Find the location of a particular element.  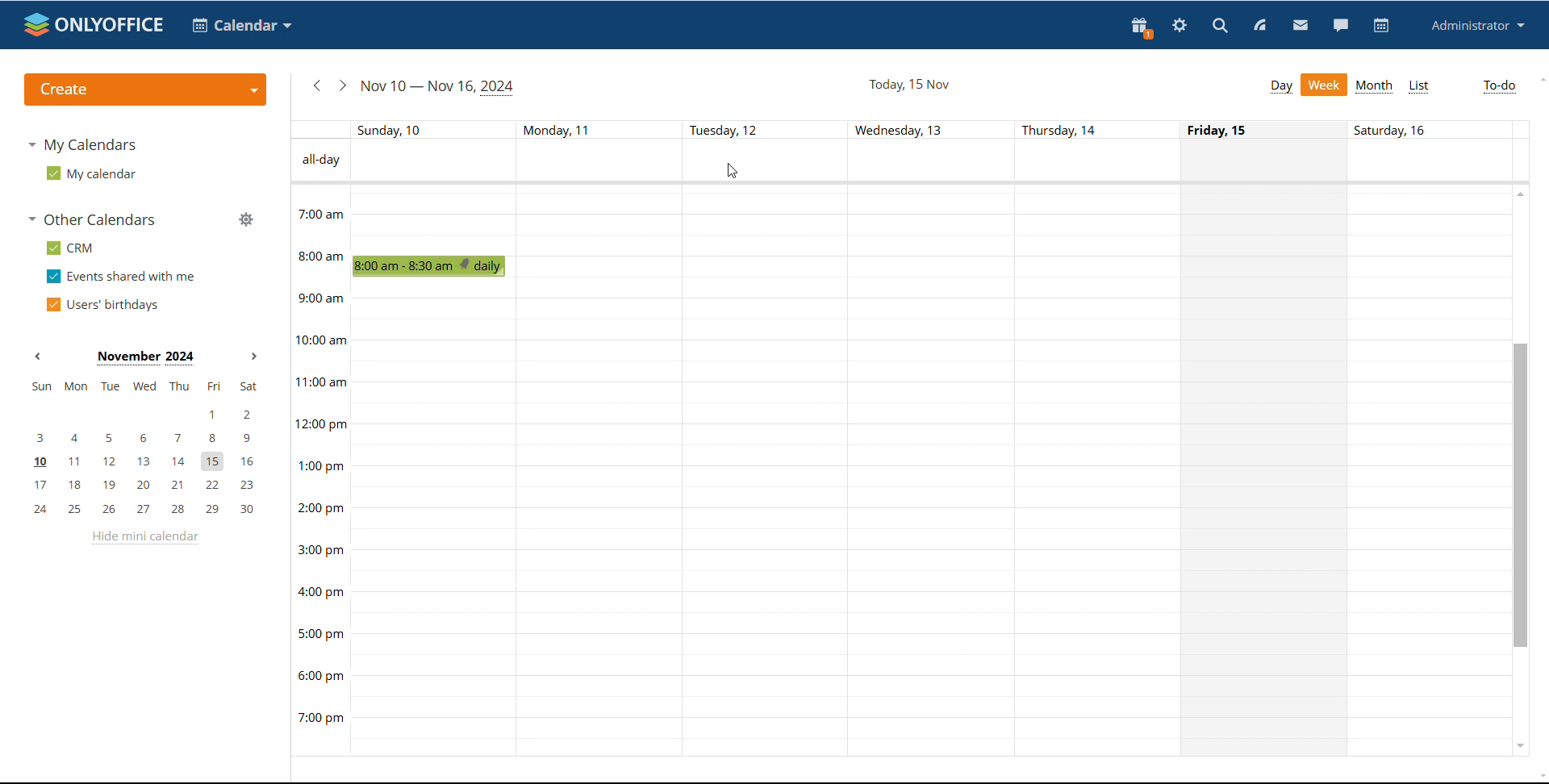

my calendar is located at coordinates (91, 173).